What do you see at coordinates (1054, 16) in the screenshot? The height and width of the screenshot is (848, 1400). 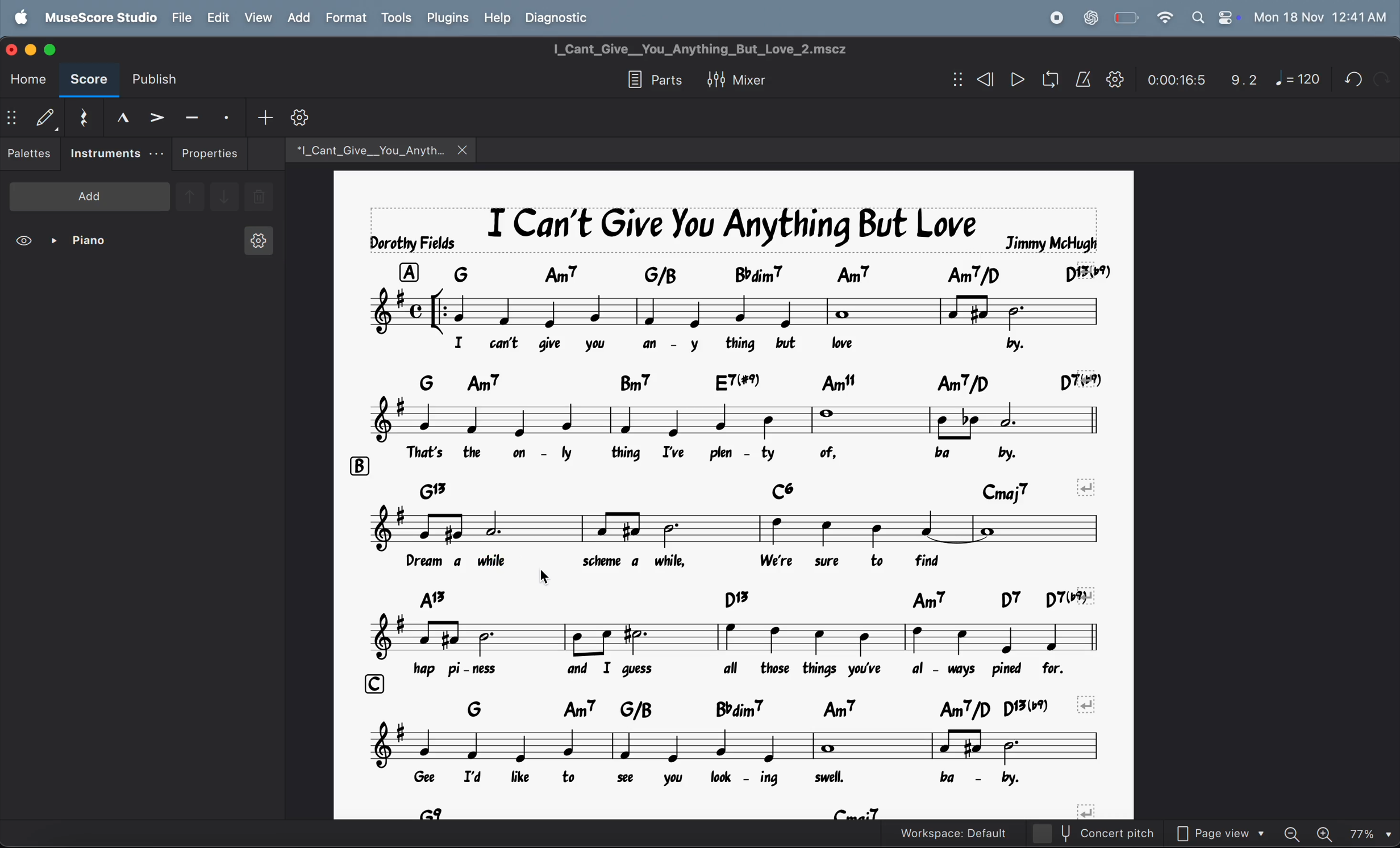 I see `record` at bounding box center [1054, 16].